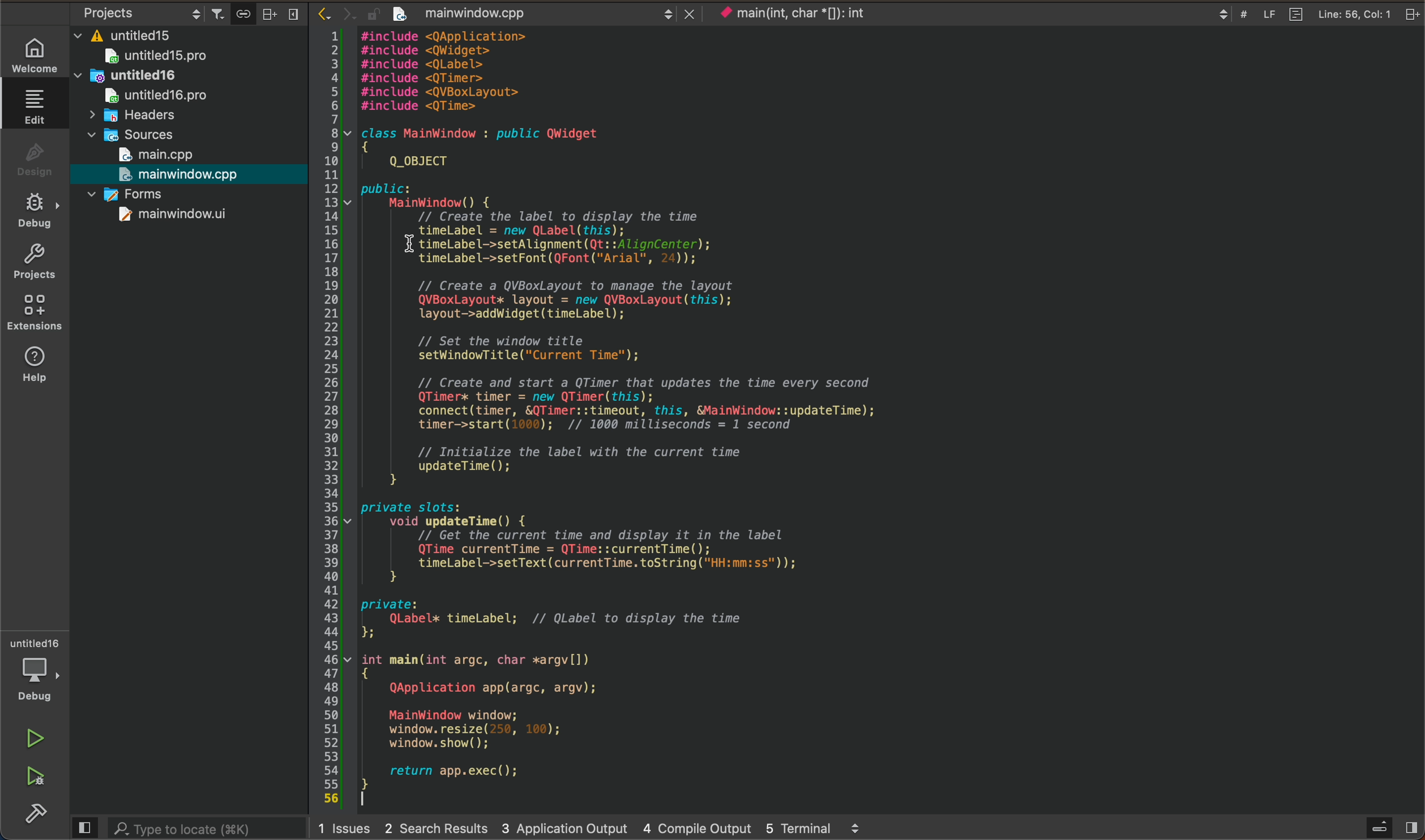 This screenshot has width=1425, height=840. I want to click on forms, so click(184, 198).